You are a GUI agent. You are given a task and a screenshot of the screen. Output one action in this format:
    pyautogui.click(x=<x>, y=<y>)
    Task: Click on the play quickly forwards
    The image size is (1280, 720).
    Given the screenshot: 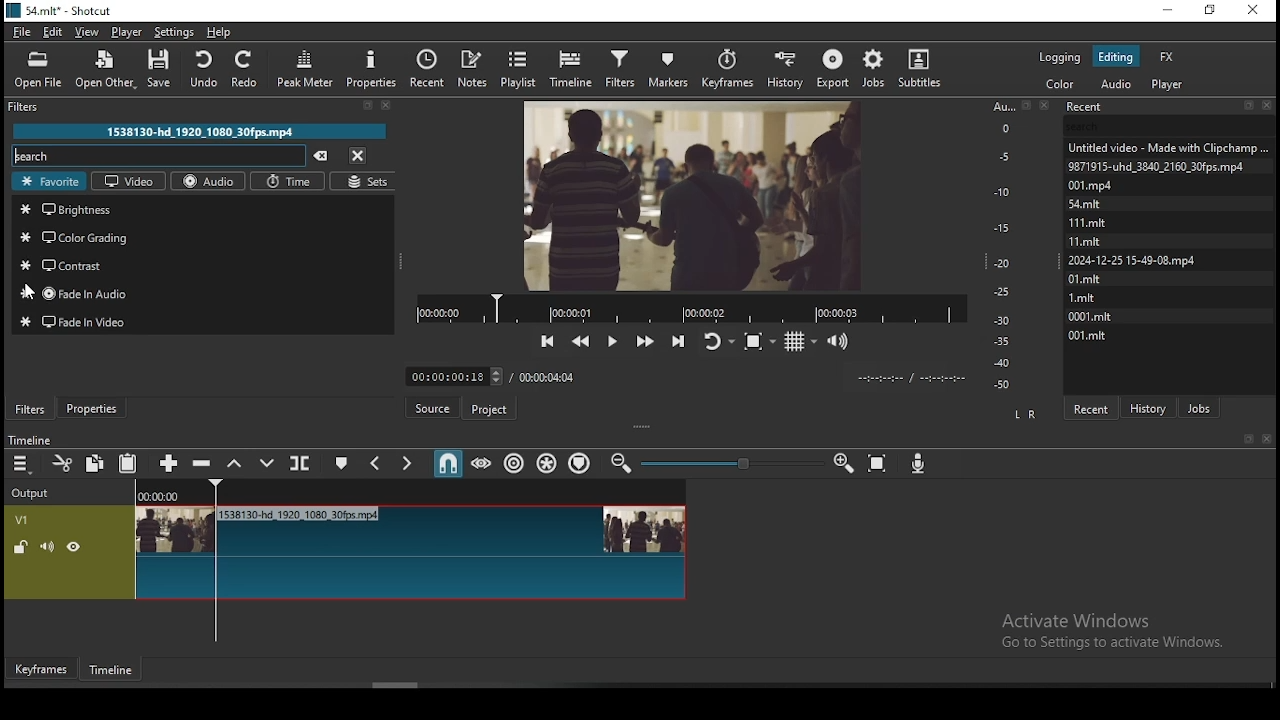 What is the action you would take?
    pyautogui.click(x=643, y=340)
    